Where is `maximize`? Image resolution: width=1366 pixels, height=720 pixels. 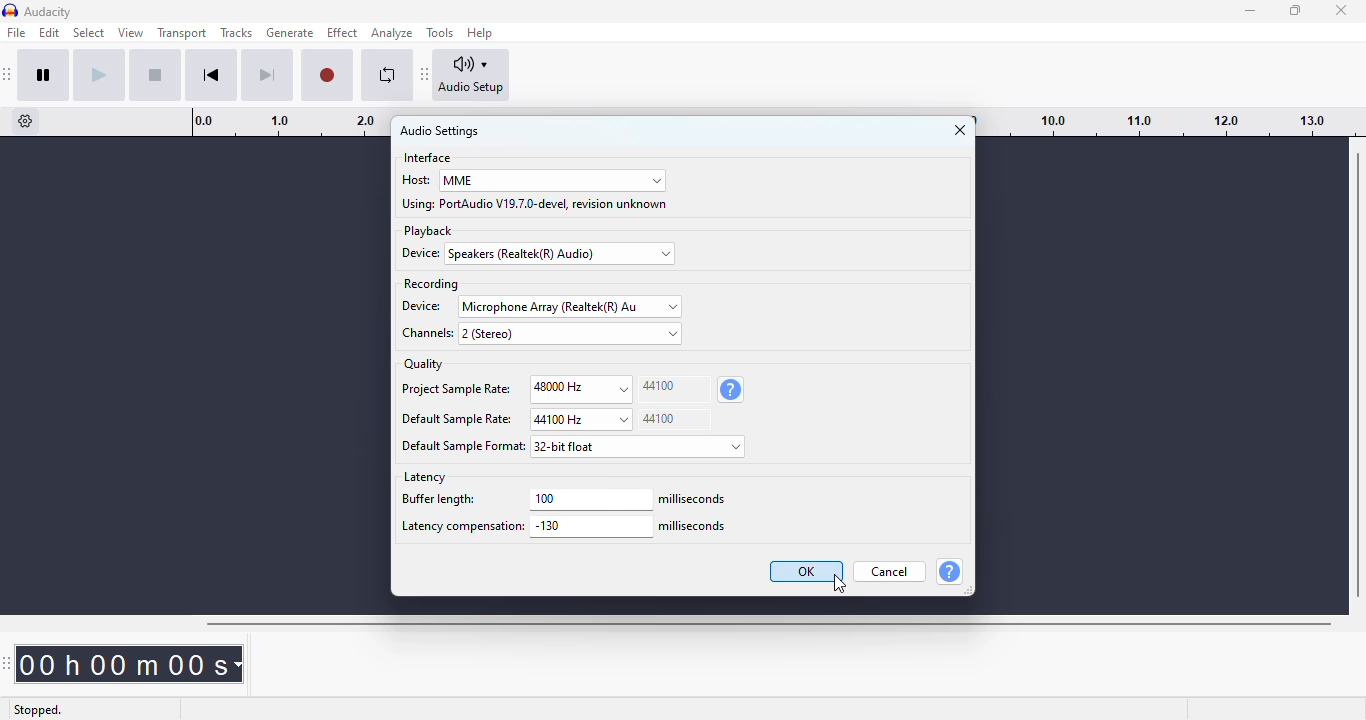
maximize is located at coordinates (1295, 9).